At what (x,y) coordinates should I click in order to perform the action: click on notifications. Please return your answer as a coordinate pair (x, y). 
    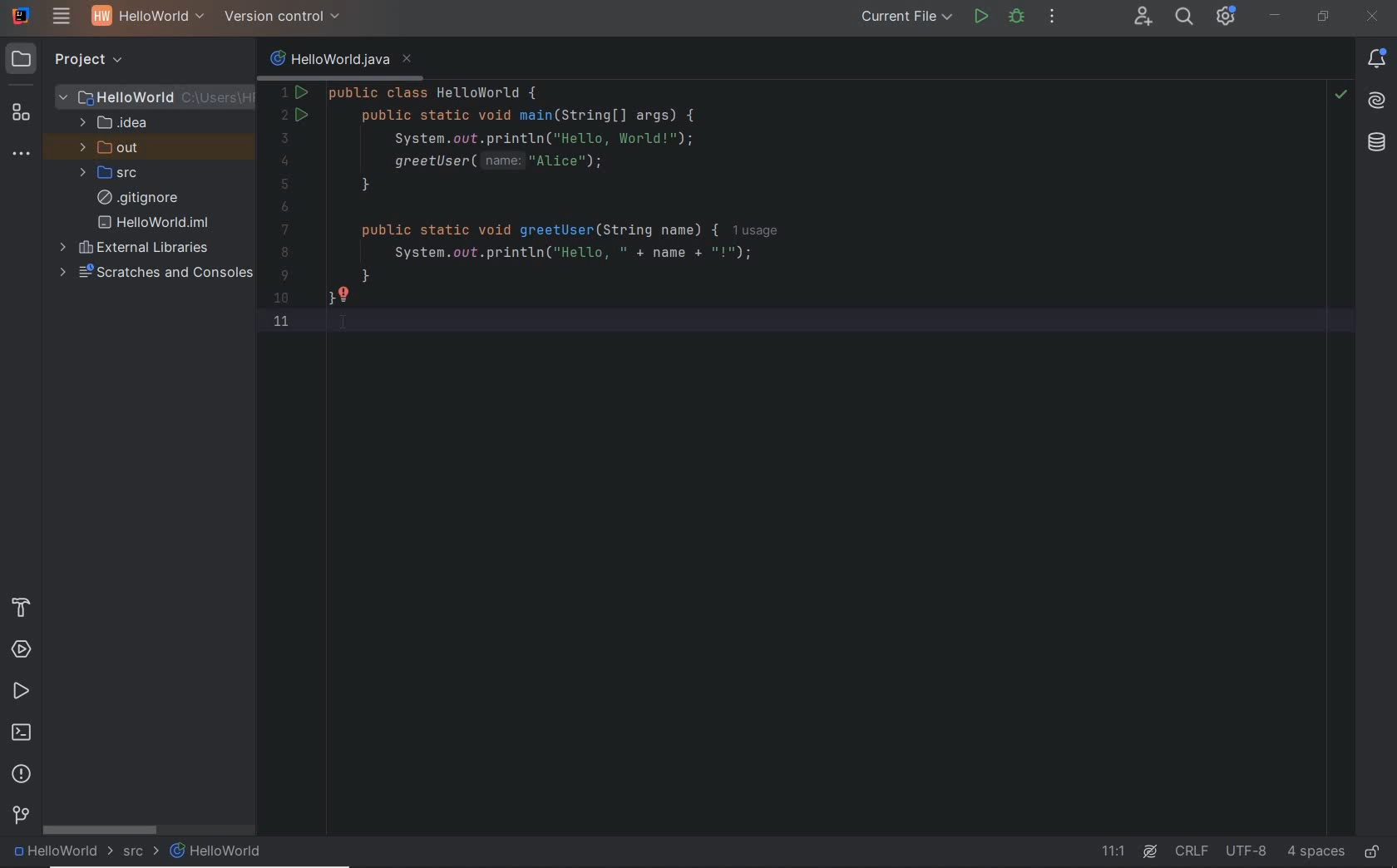
    Looking at the image, I should click on (1378, 59).